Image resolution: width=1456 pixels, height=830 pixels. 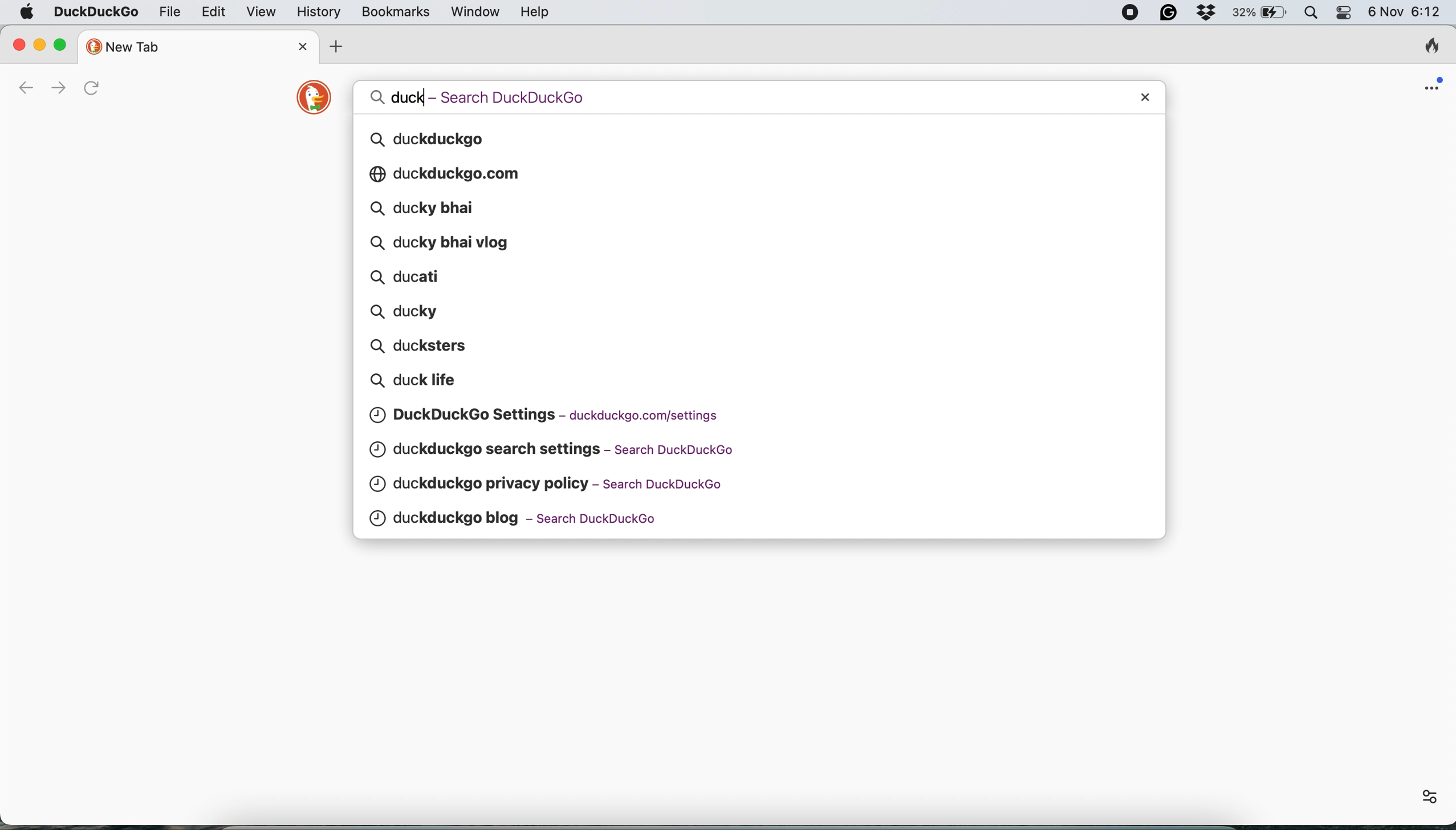 What do you see at coordinates (562, 520) in the screenshot?
I see `duckduckgo blog - search DuckDuckGo` at bounding box center [562, 520].